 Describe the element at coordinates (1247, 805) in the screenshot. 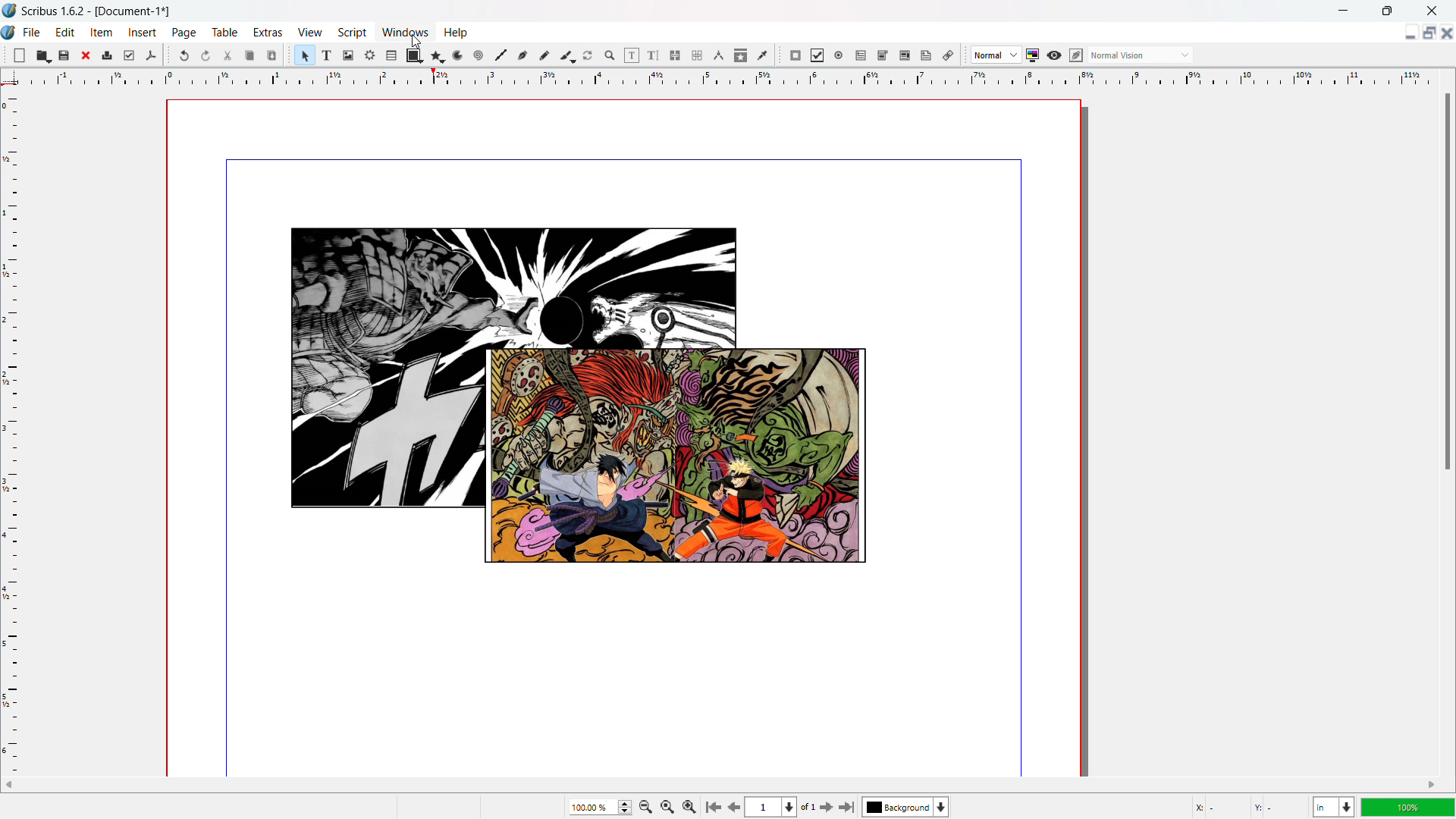

I see `cursor coordinates` at that location.